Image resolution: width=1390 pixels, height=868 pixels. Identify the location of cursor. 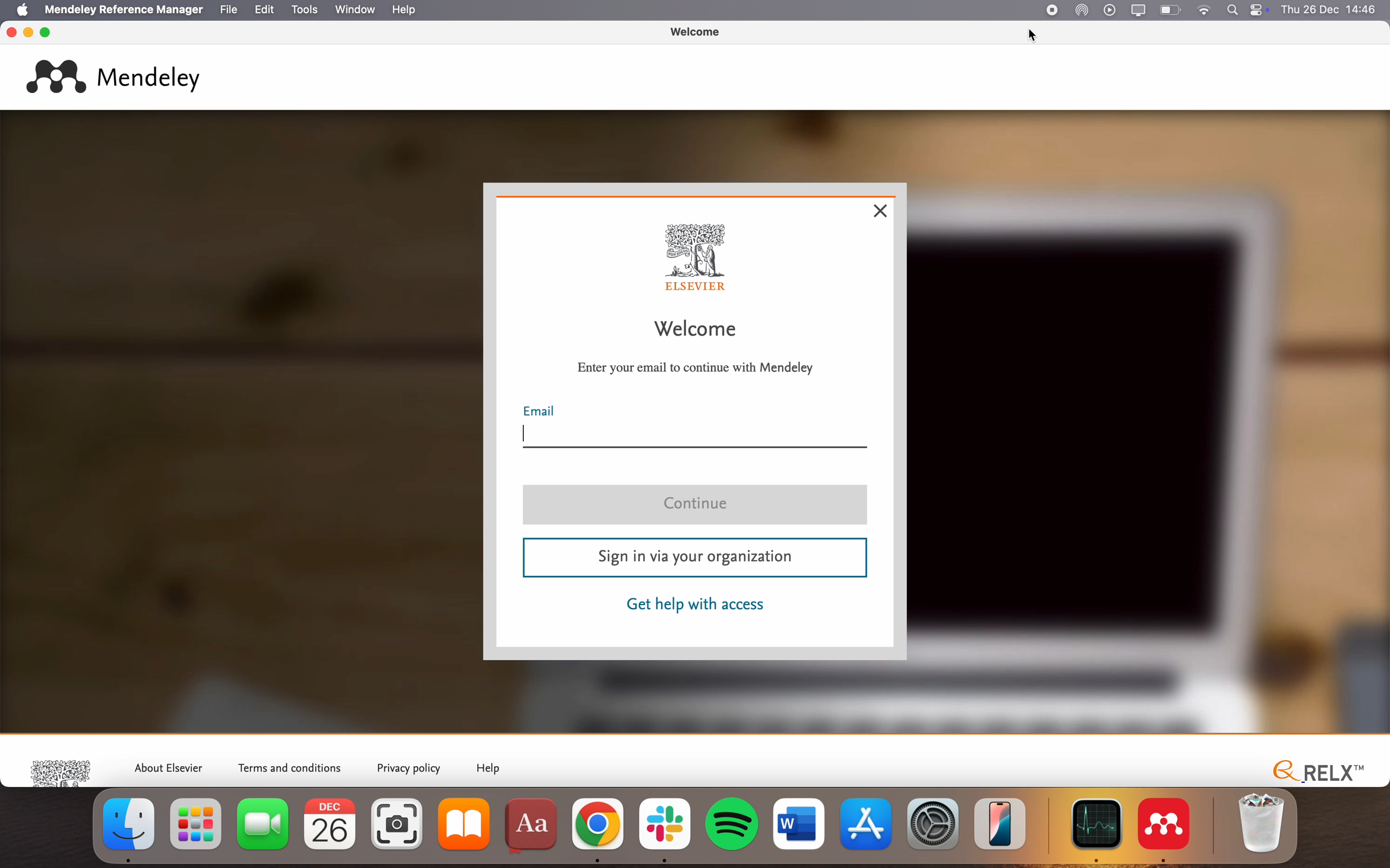
(1029, 36).